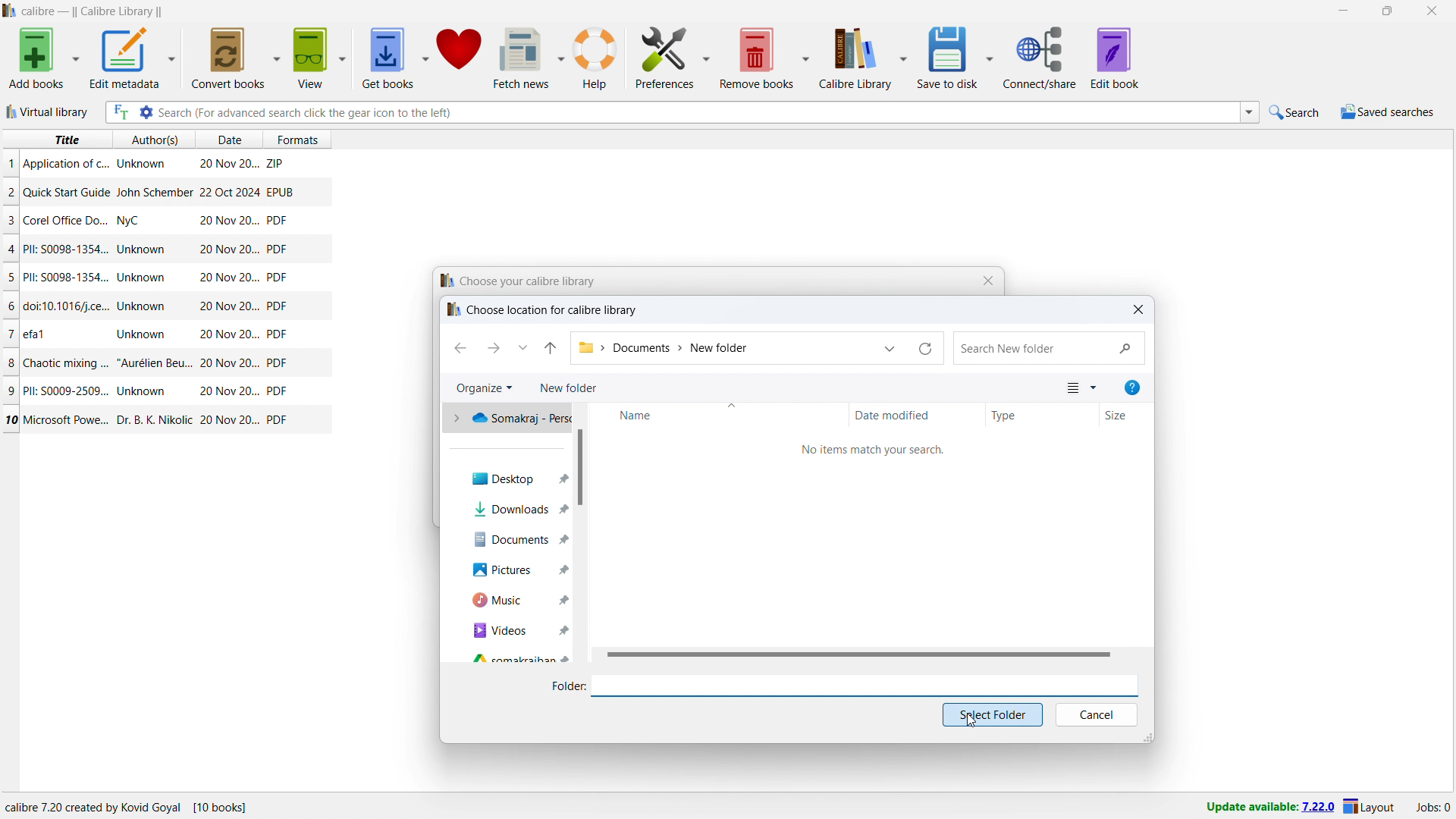 The height and width of the screenshot is (819, 1456). Describe the element at coordinates (152, 418) in the screenshot. I see `Author` at that location.